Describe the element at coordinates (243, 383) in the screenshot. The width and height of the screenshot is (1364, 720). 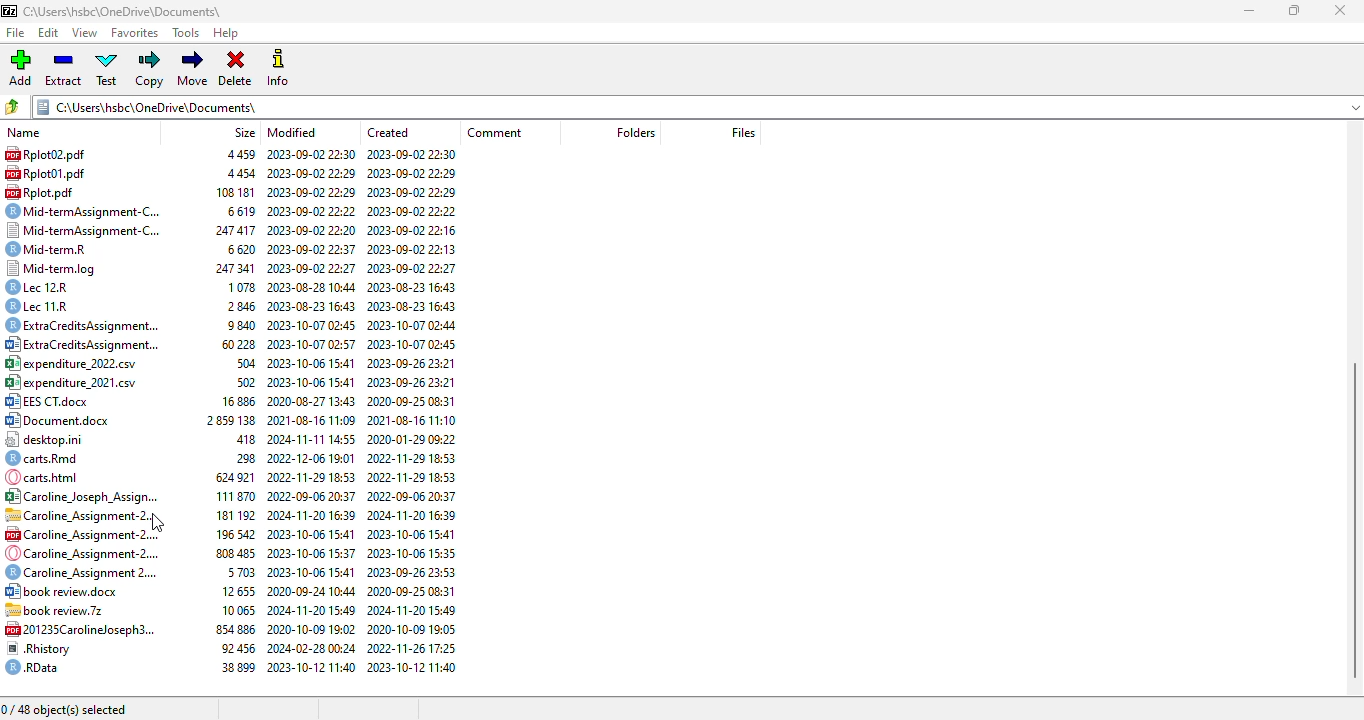
I see `502` at that location.